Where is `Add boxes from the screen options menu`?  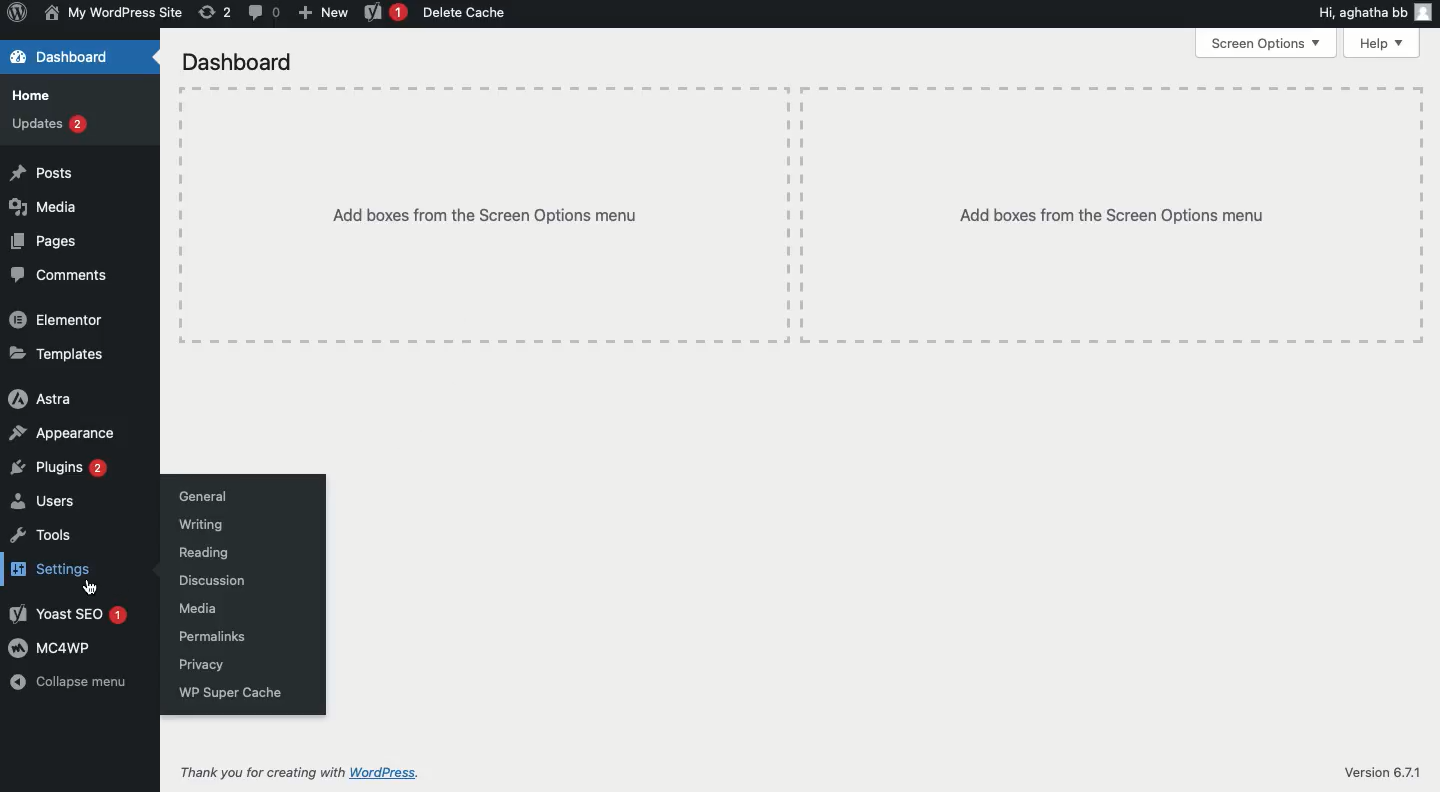 Add boxes from the screen options menu is located at coordinates (792, 214).